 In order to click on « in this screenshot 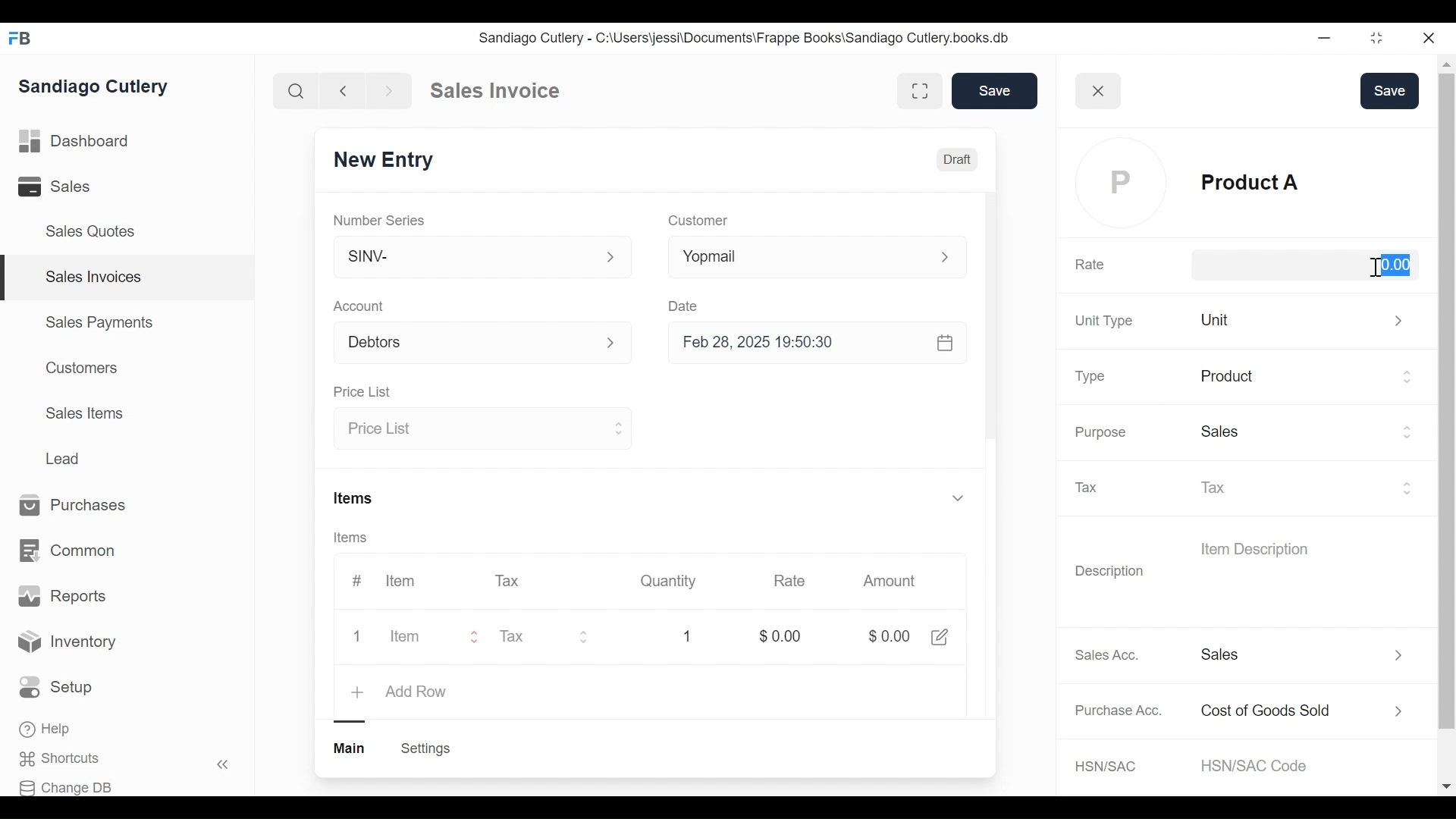, I will do `click(223, 767)`.